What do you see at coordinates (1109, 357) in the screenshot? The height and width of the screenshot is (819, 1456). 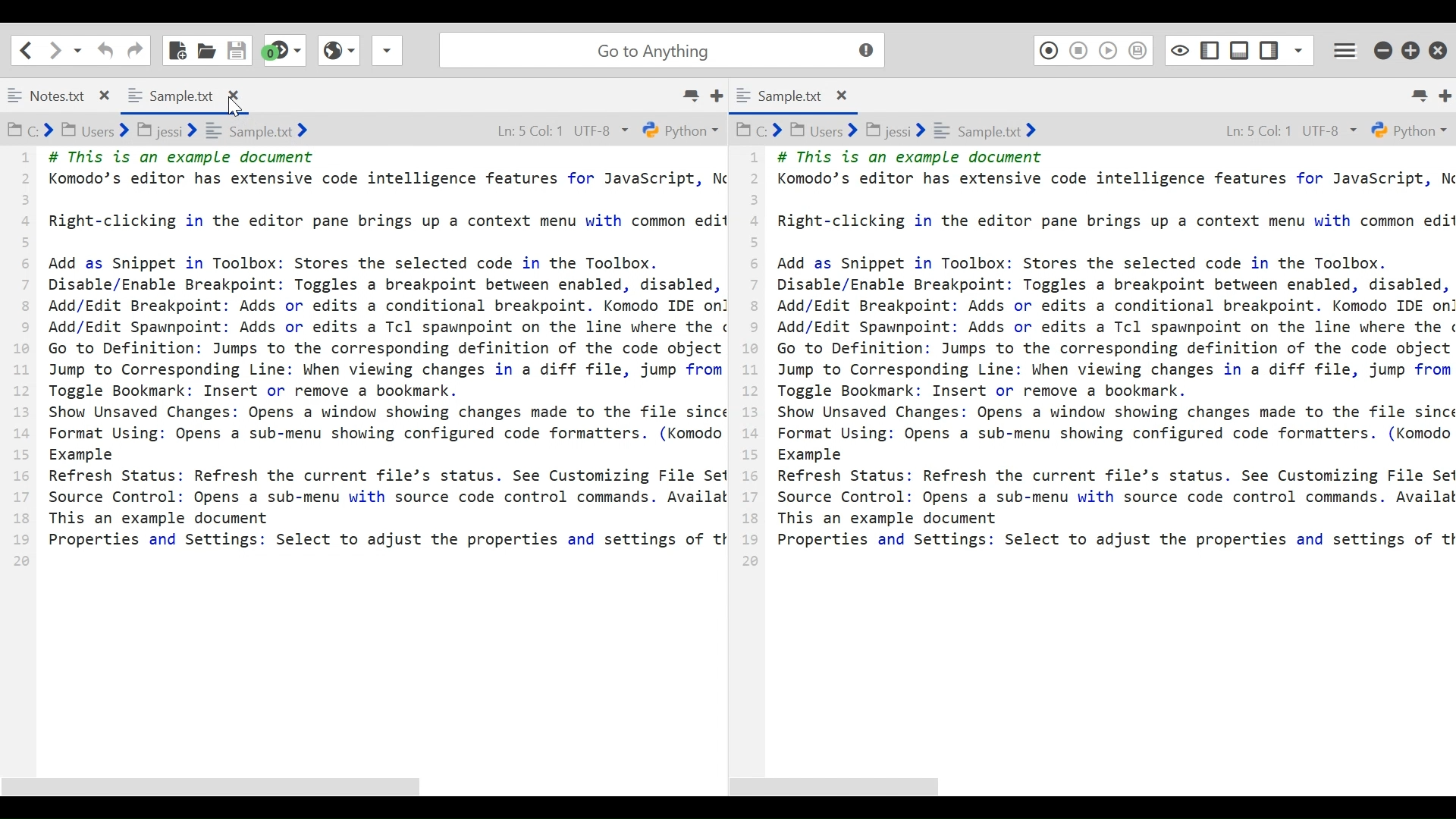 I see `# This is an example document

Komodo’s editor has extensive code intelligence features for JavaScript, \
Right-clicking in the editor pane brings up a context menu with common edi
Add as Snippet in Toolbox: Stores the selected code in the Toolbox.
Disable/Enable Breakpoint: Toggles a breakpoint between enabled, disabled,
Add/Edit Breakpoint: Adds or edits a conditional breakpoint. Komodo IDE or
Add/Edit Spawnpoint: Adds or edits a Tcl spawnpoint on the line where the
Go to Definition: Jumps to the corresponding definition of the code object
Jump to Corresponding Line: When viewing changes in a diff file, jump from
Toggle Bookmark: Insert or remove a bookmark.

Show Unsaved Changes: Opens a window showing changes made to the file sinc
Format Using: Opens a sub-menu showing configured code formatters. (Komodc
Example

Refresh Status: Refresh the current file’s status. See Customizing File Se
Source Control: Opens a sub-menu with source code control commands. Availa
This an example document

Properties and Settings: Select to adjust the properties and settings of t` at bounding box center [1109, 357].